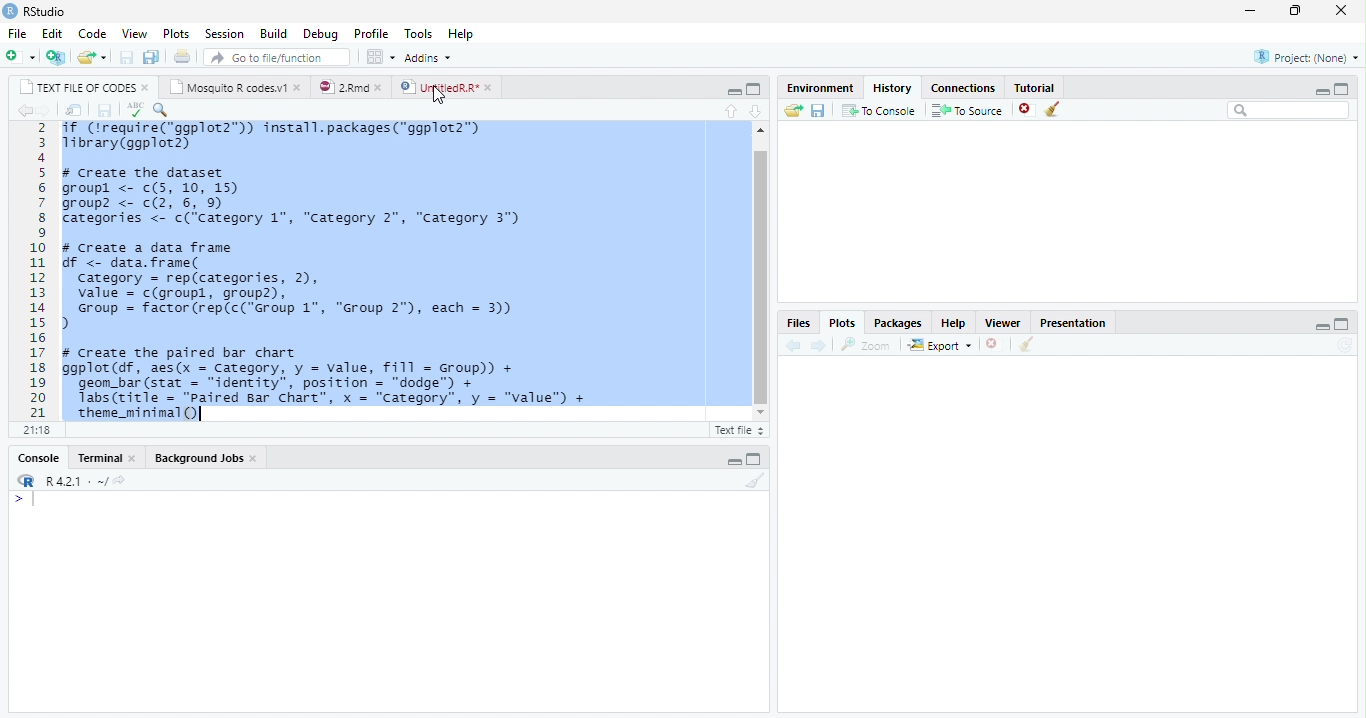  Describe the element at coordinates (761, 277) in the screenshot. I see `scroll bar` at that location.